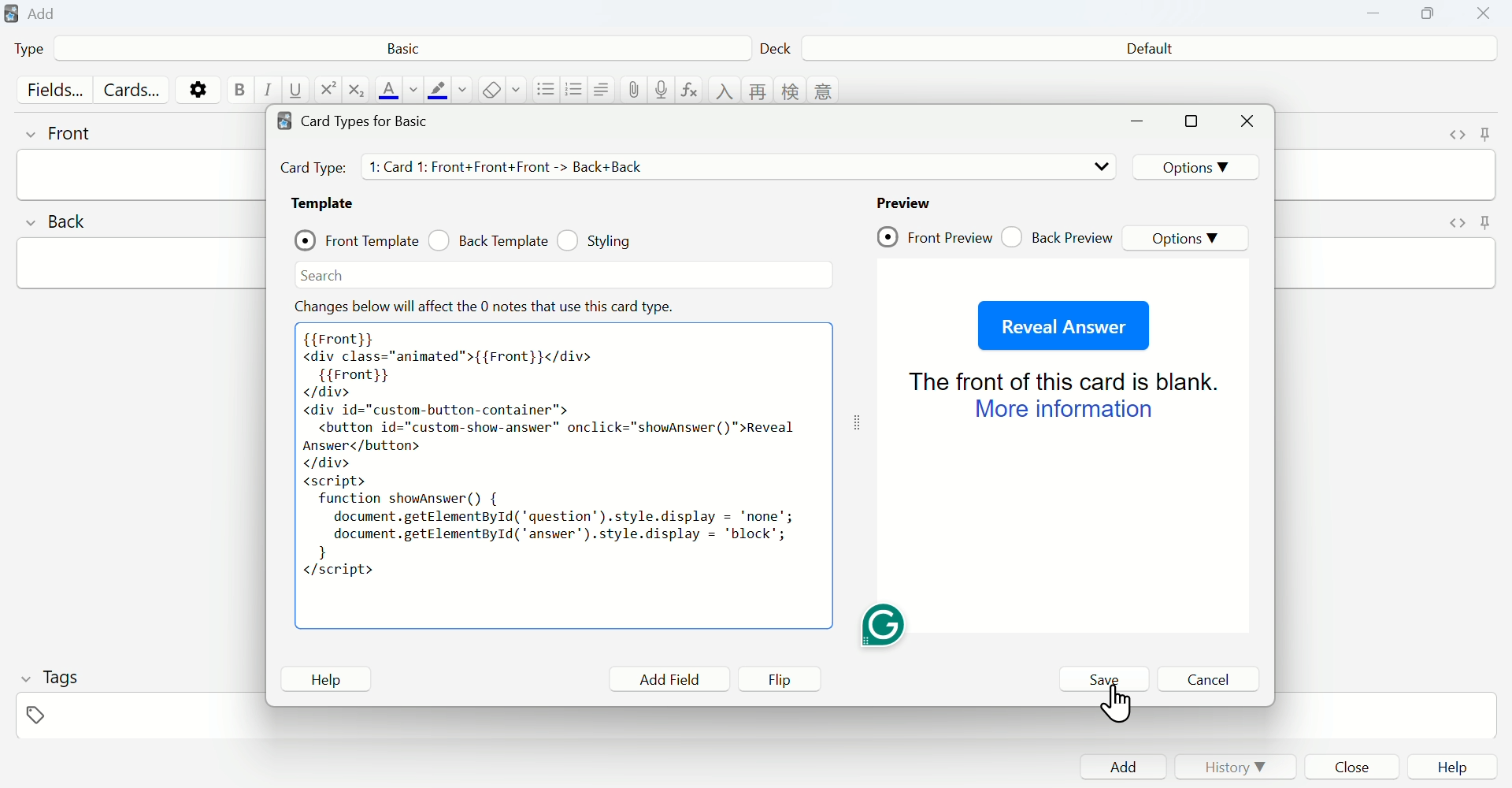  Describe the element at coordinates (328, 679) in the screenshot. I see `Help` at that location.